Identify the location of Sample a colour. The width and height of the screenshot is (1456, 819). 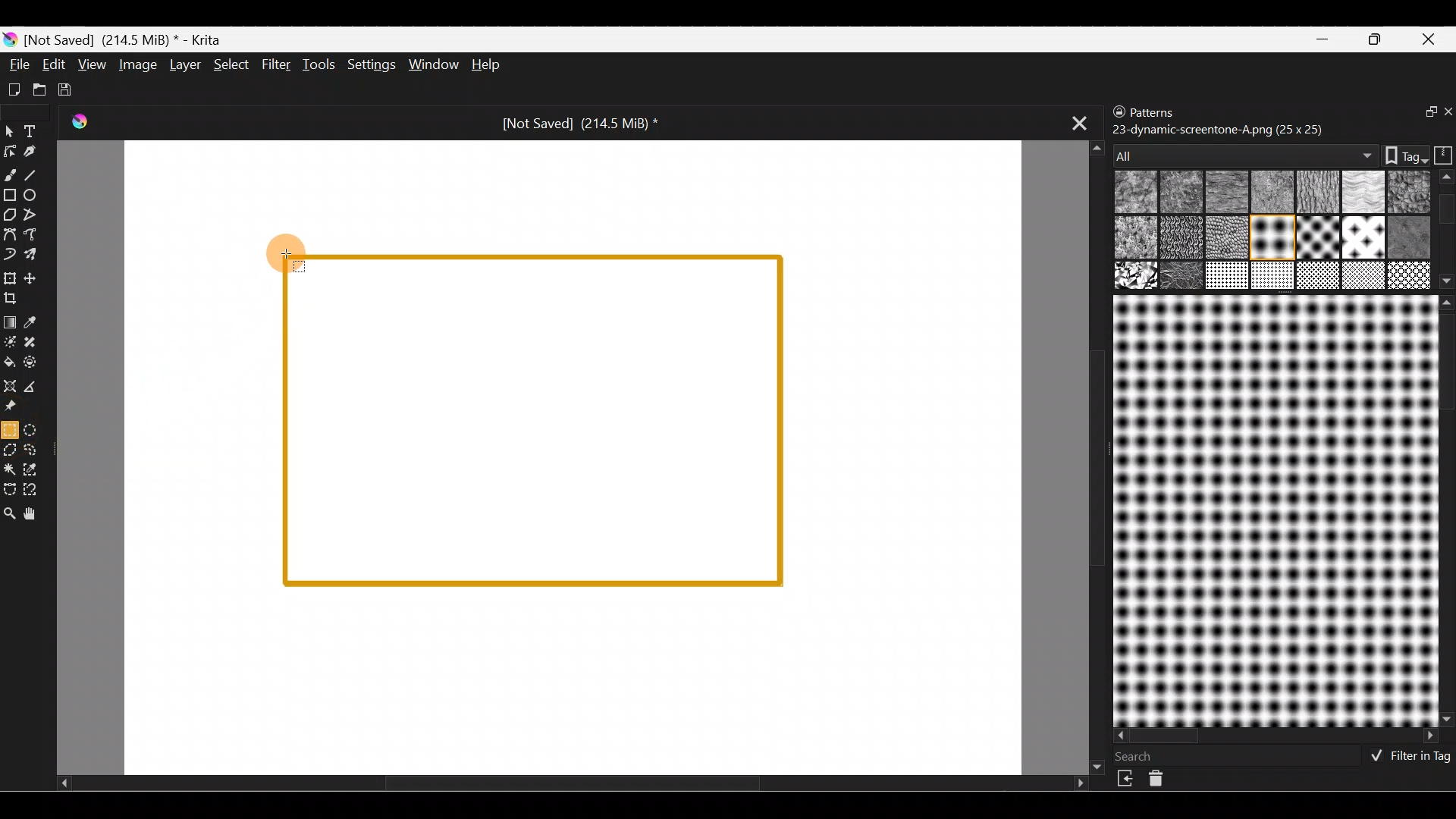
(39, 322).